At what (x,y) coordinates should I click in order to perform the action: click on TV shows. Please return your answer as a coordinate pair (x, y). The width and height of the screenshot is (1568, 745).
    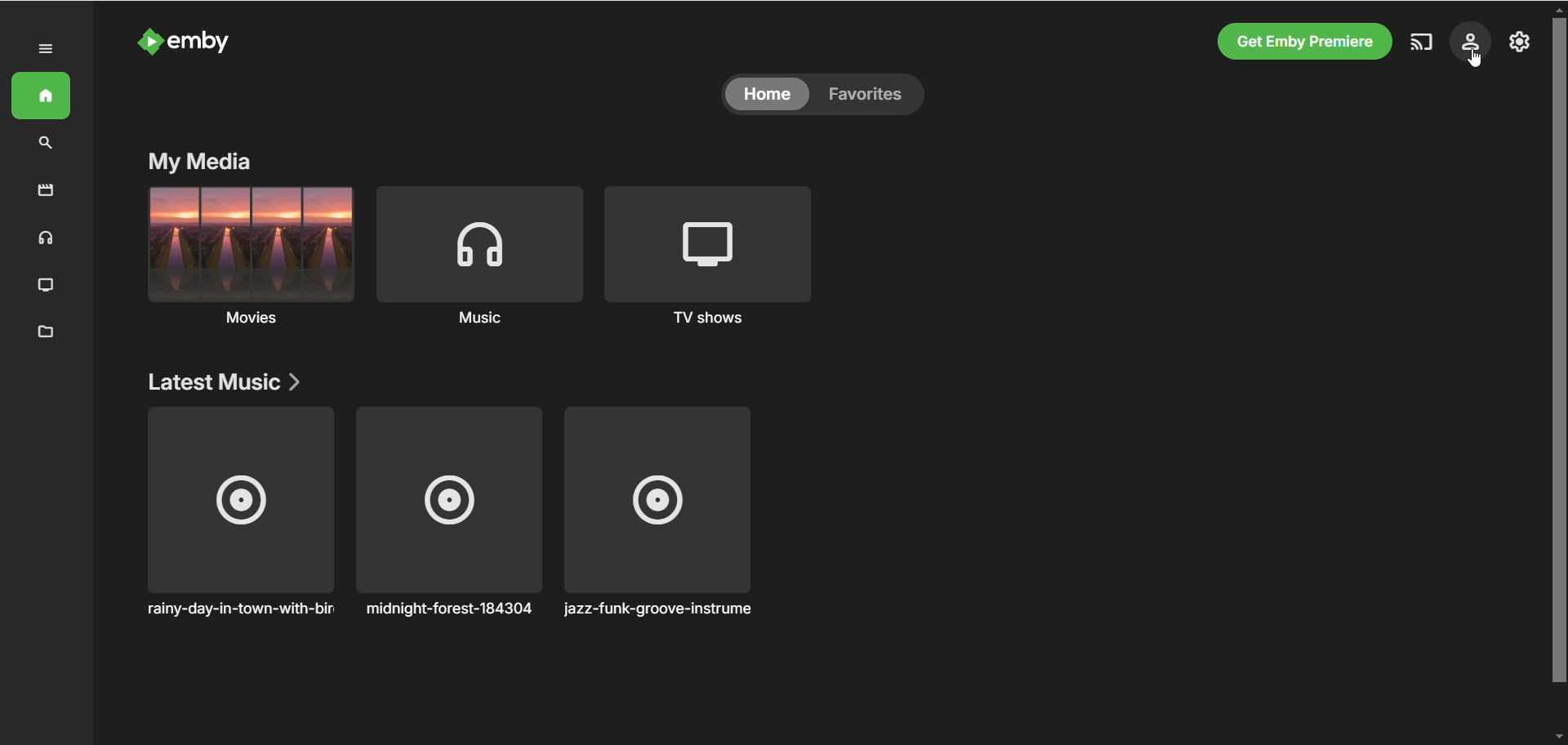
    Looking at the image, I should click on (47, 287).